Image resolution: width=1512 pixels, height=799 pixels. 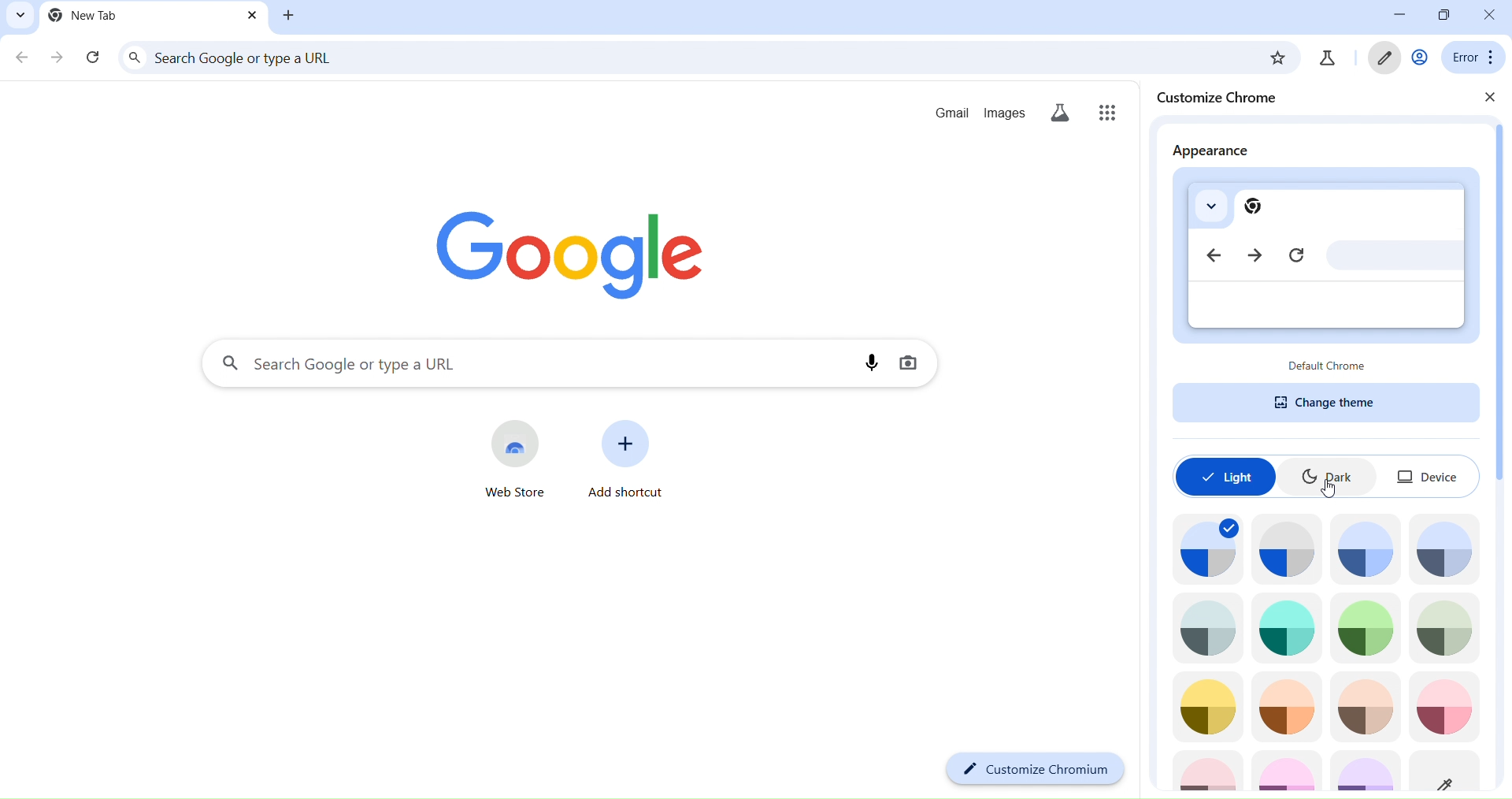 I want to click on theme icon, so click(x=1285, y=771).